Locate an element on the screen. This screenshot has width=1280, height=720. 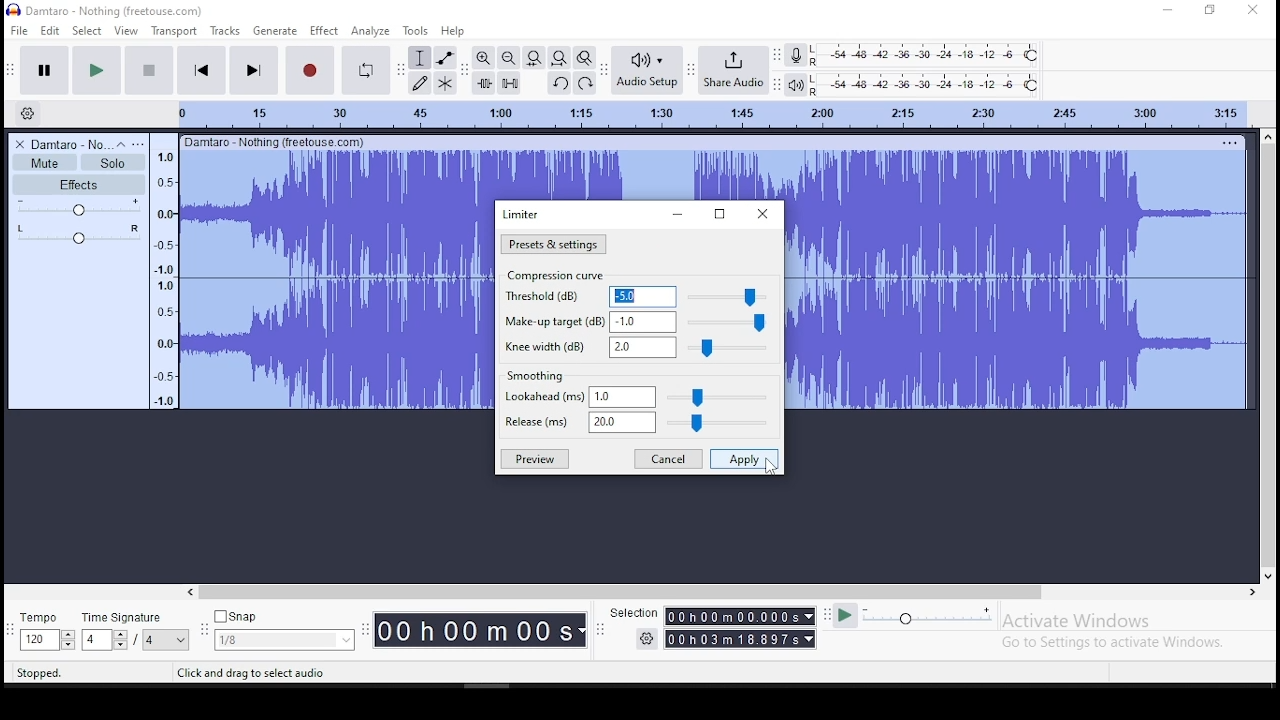
limiter is located at coordinates (520, 215).